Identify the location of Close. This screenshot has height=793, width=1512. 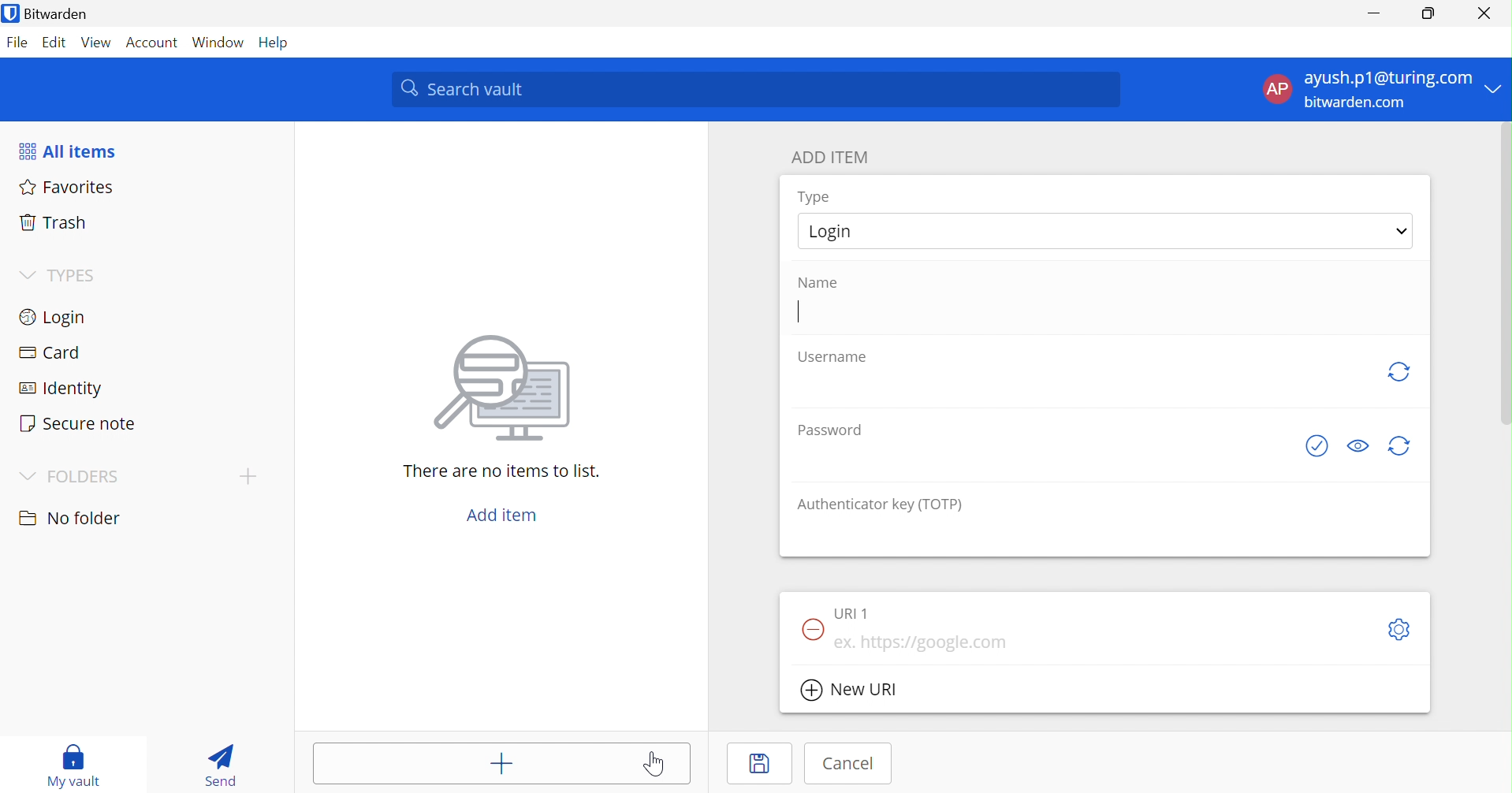
(1484, 13).